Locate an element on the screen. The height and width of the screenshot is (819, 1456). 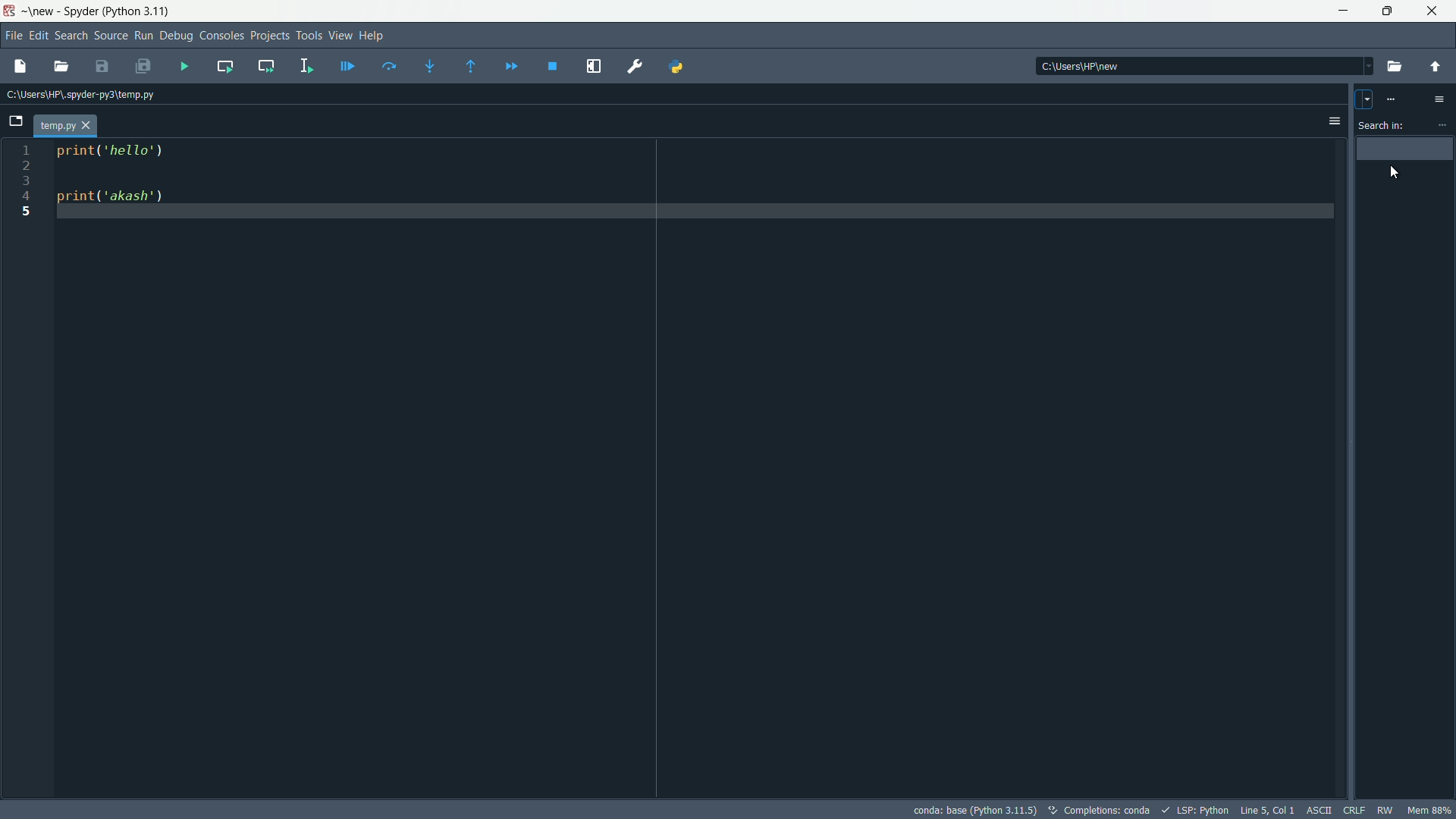
temp.py is located at coordinates (67, 126).